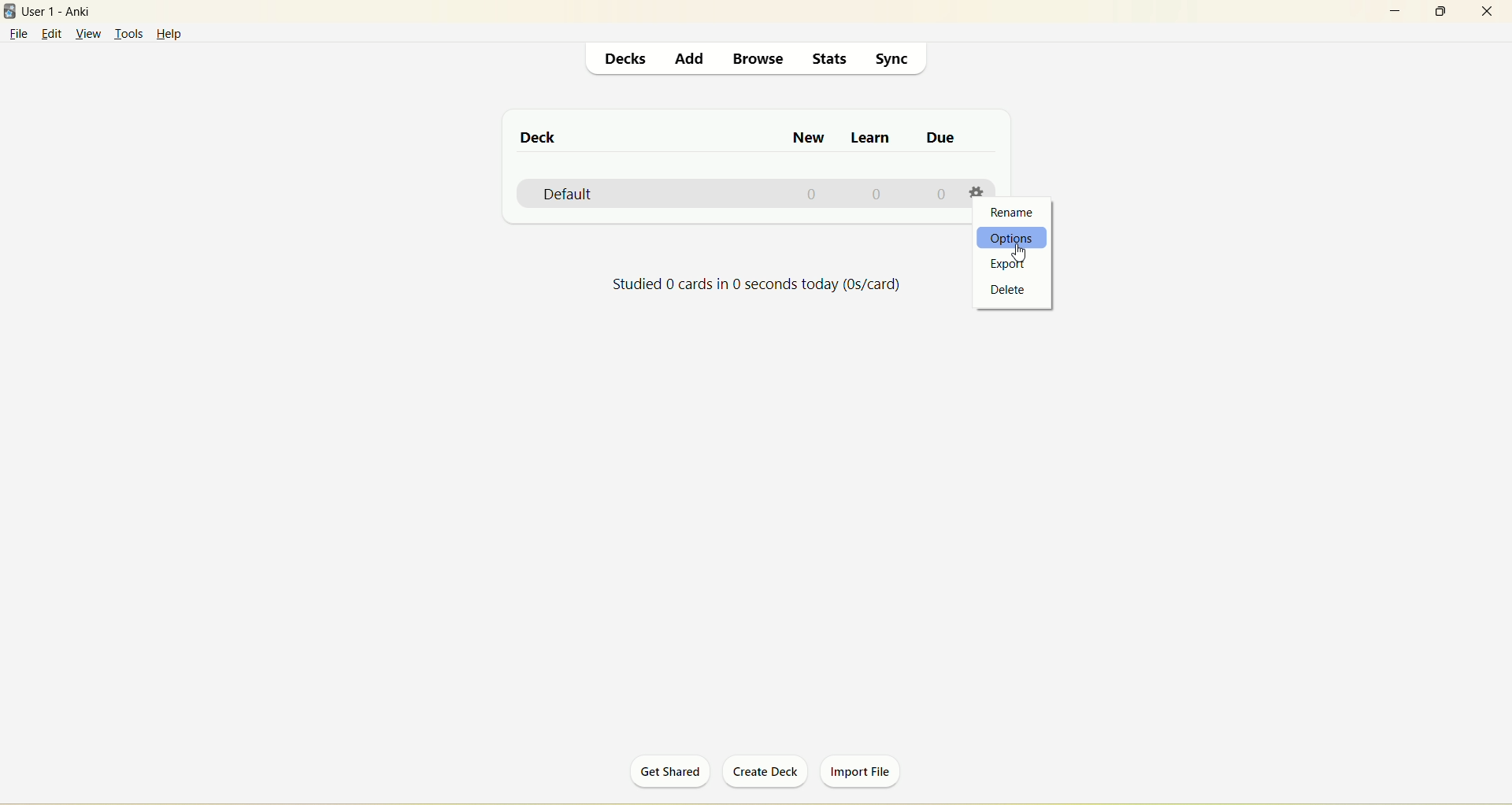 This screenshot has width=1512, height=805. What do you see at coordinates (811, 195) in the screenshot?
I see `0` at bounding box center [811, 195].